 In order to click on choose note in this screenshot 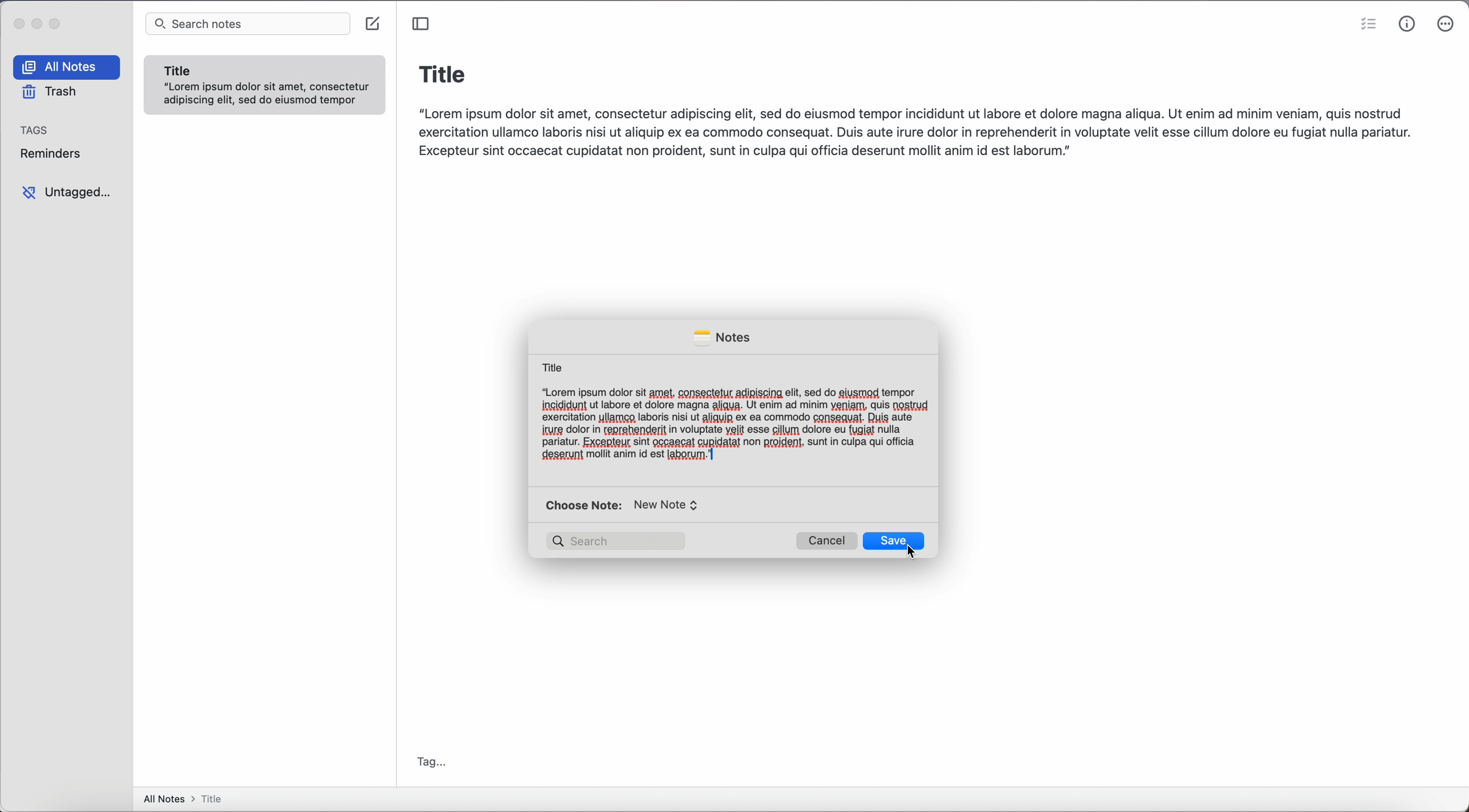, I will do `click(625, 505)`.